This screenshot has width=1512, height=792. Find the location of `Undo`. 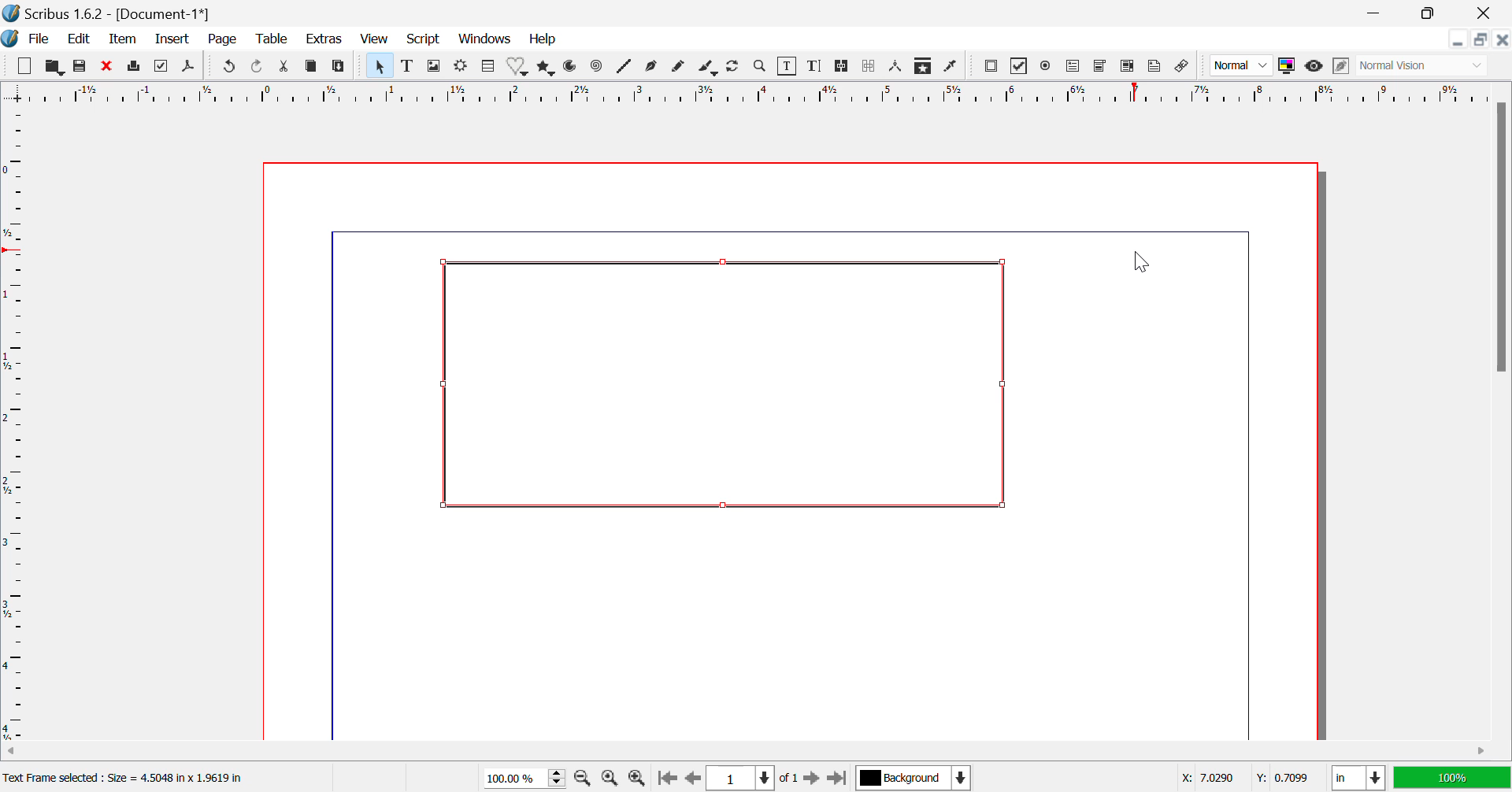

Undo is located at coordinates (228, 68).